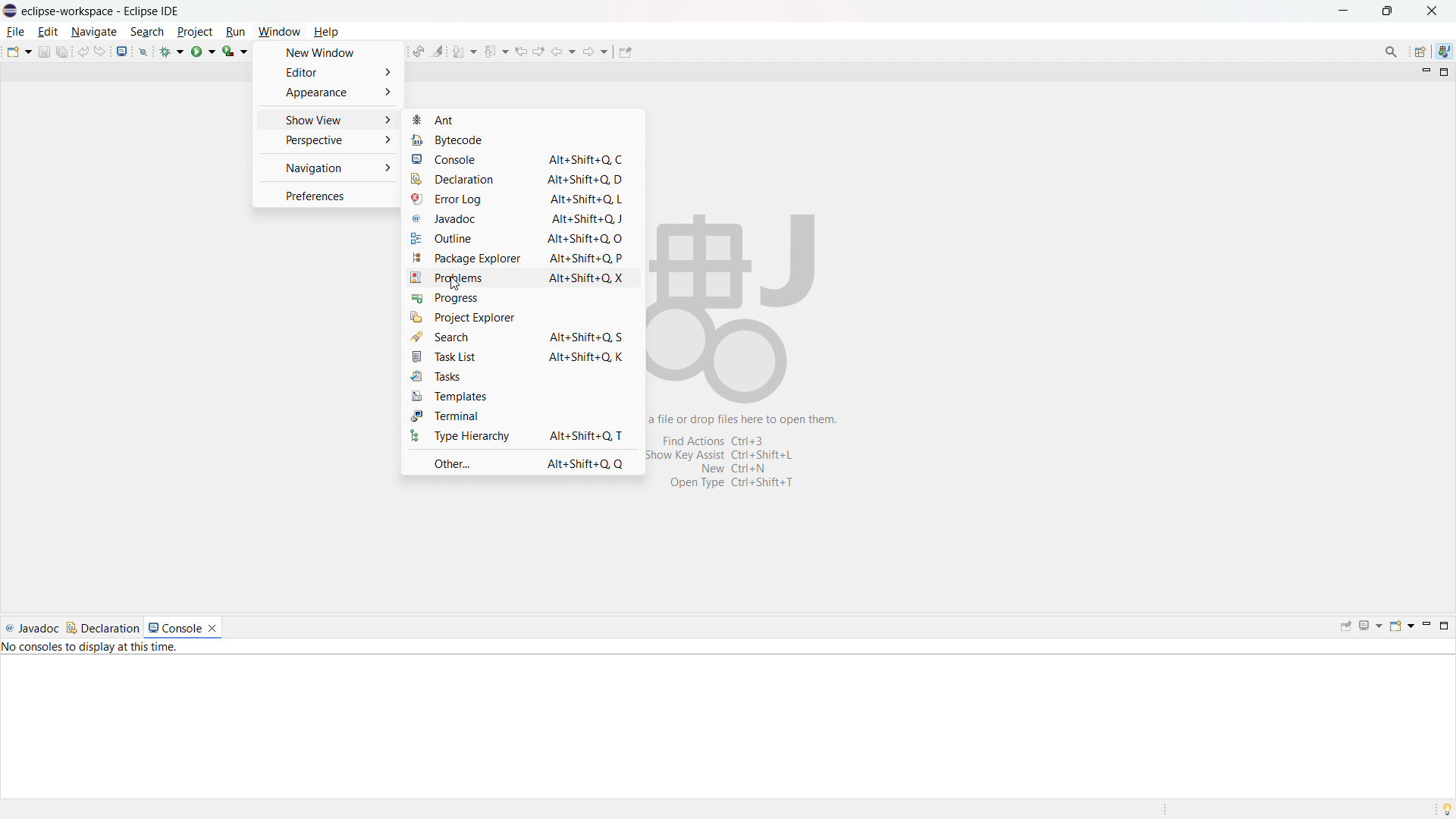  Describe the element at coordinates (538, 50) in the screenshot. I see `view next location` at that location.